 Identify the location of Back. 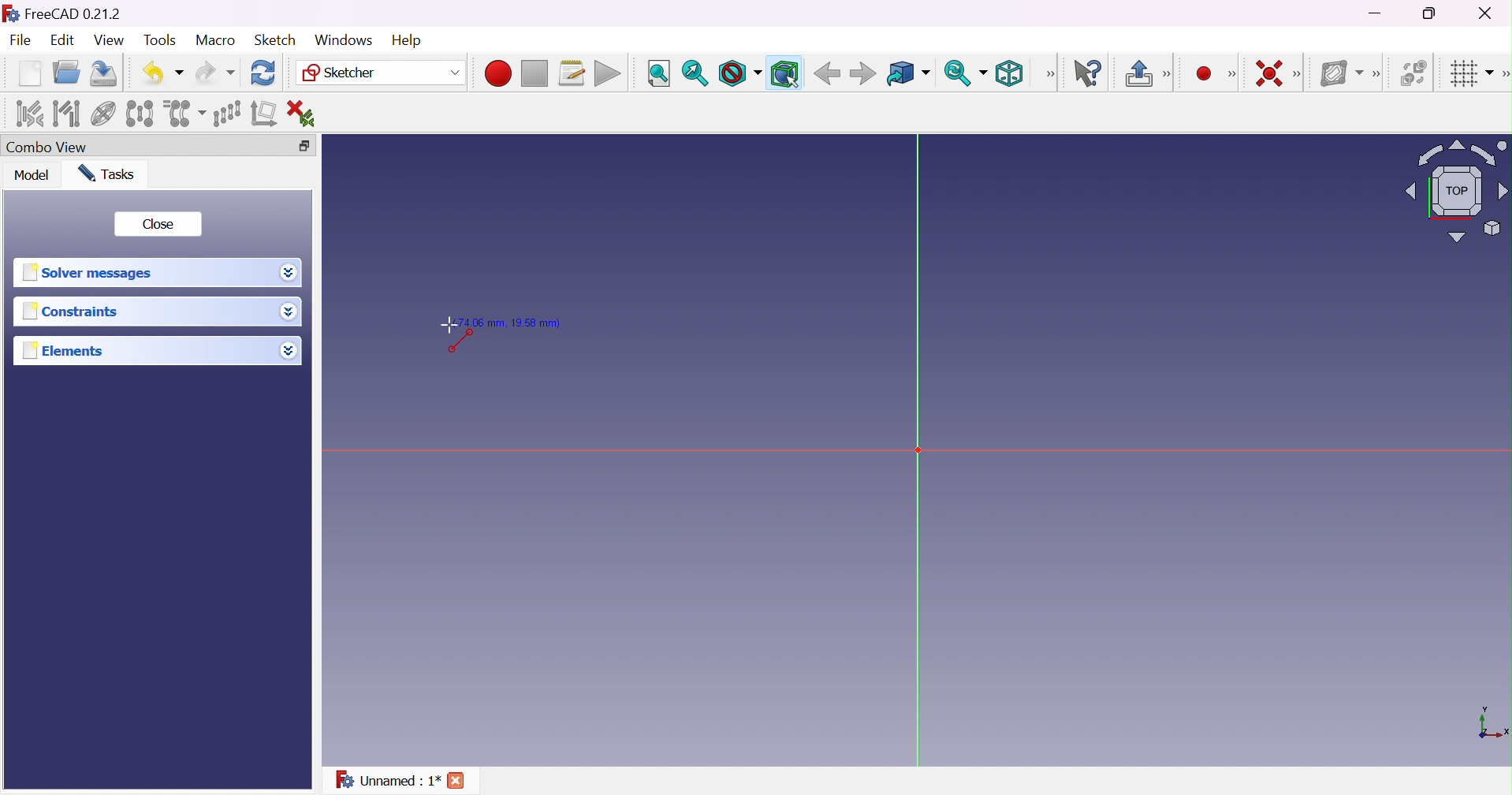
(827, 74).